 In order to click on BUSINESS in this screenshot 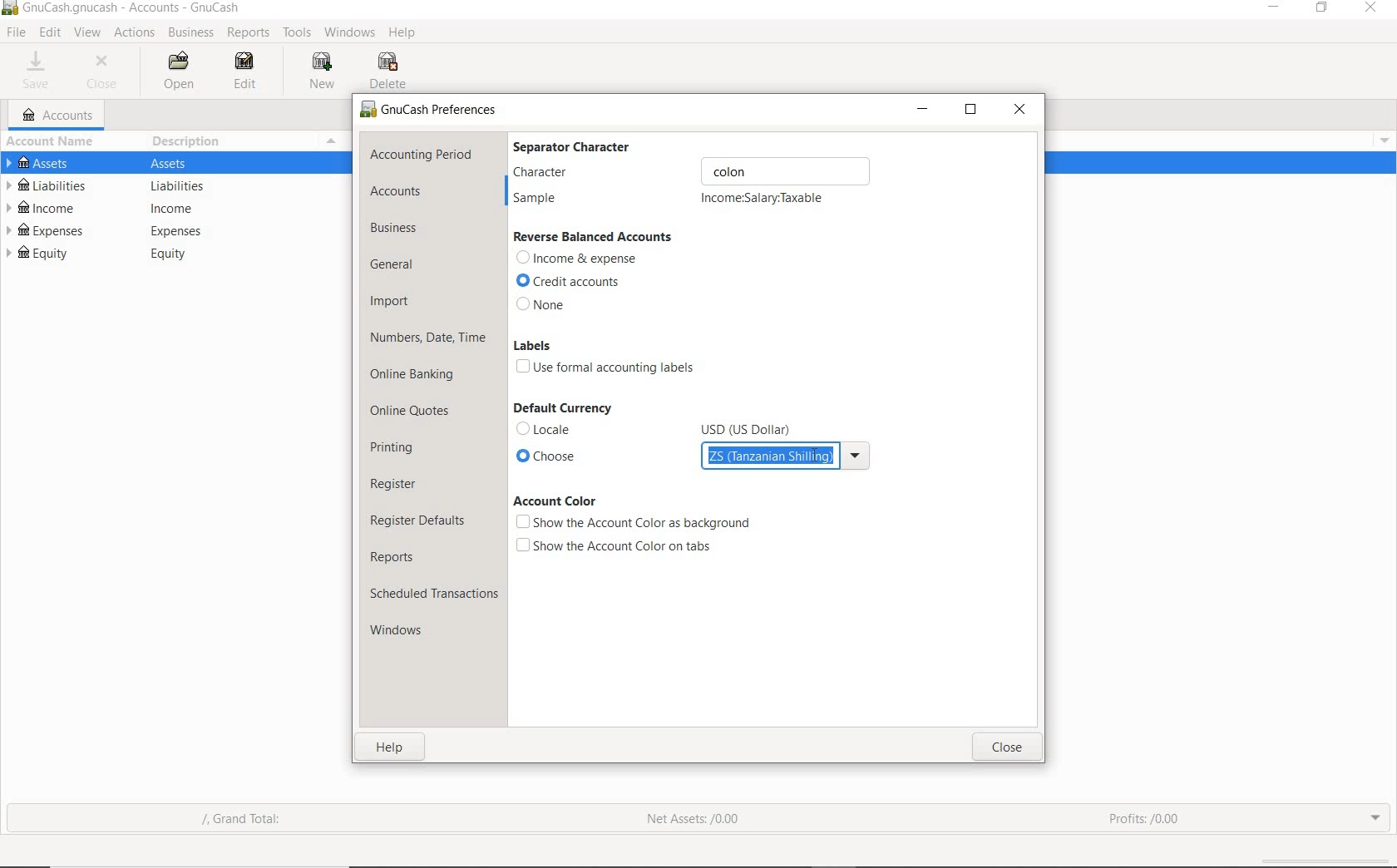, I will do `click(192, 33)`.